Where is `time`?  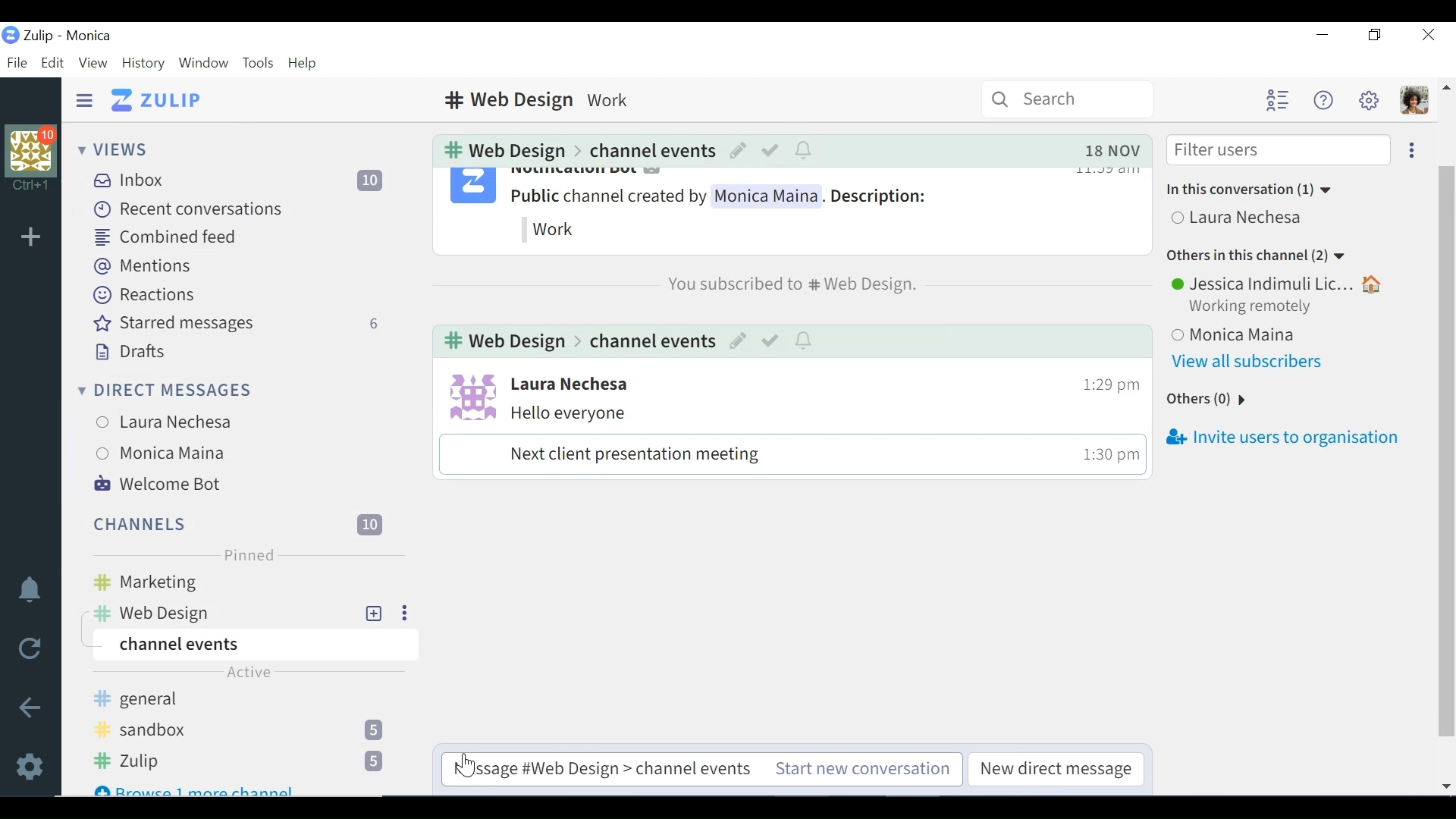 time is located at coordinates (1103, 380).